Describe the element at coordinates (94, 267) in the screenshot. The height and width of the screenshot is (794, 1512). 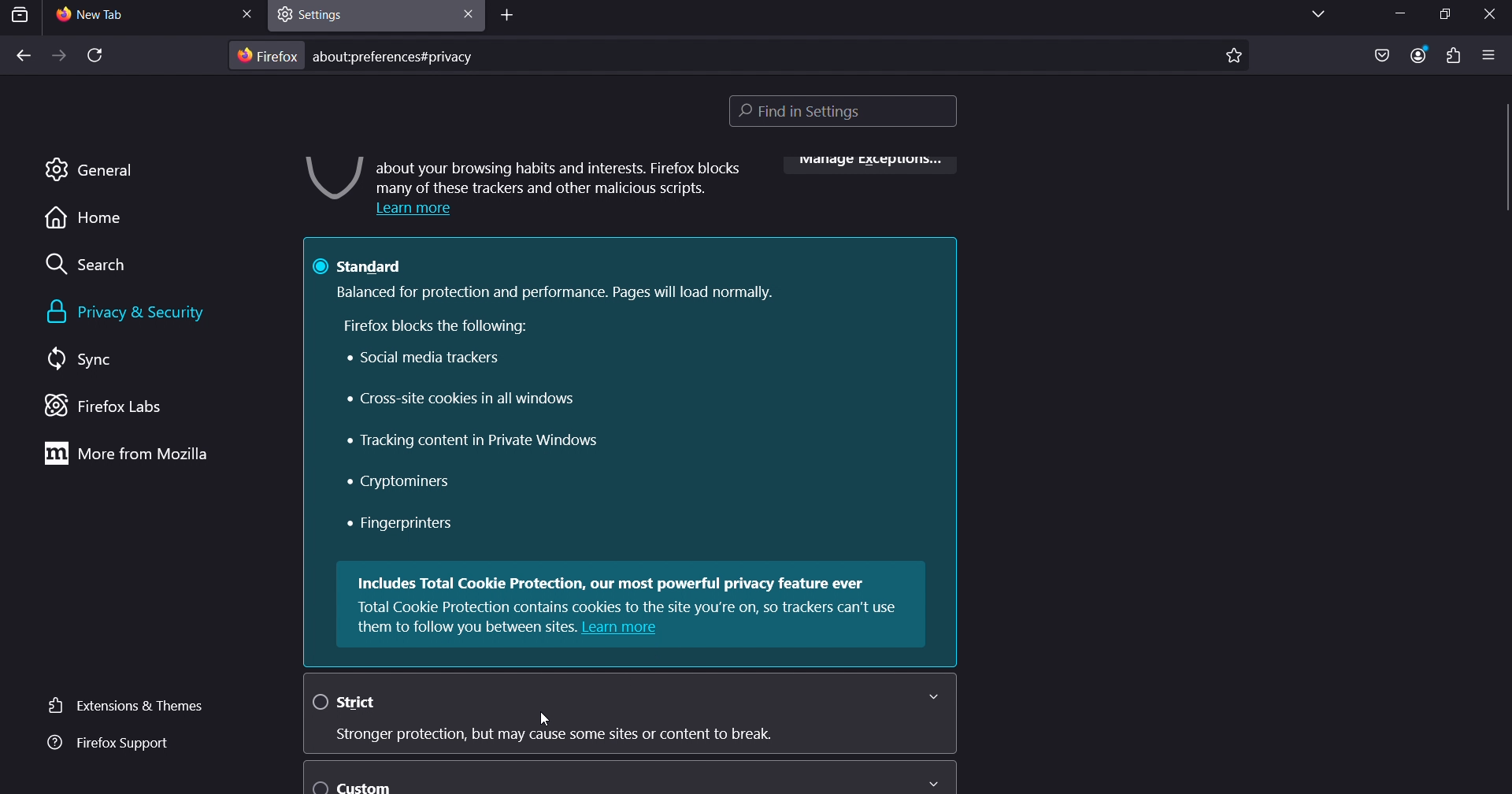
I see `search` at that location.